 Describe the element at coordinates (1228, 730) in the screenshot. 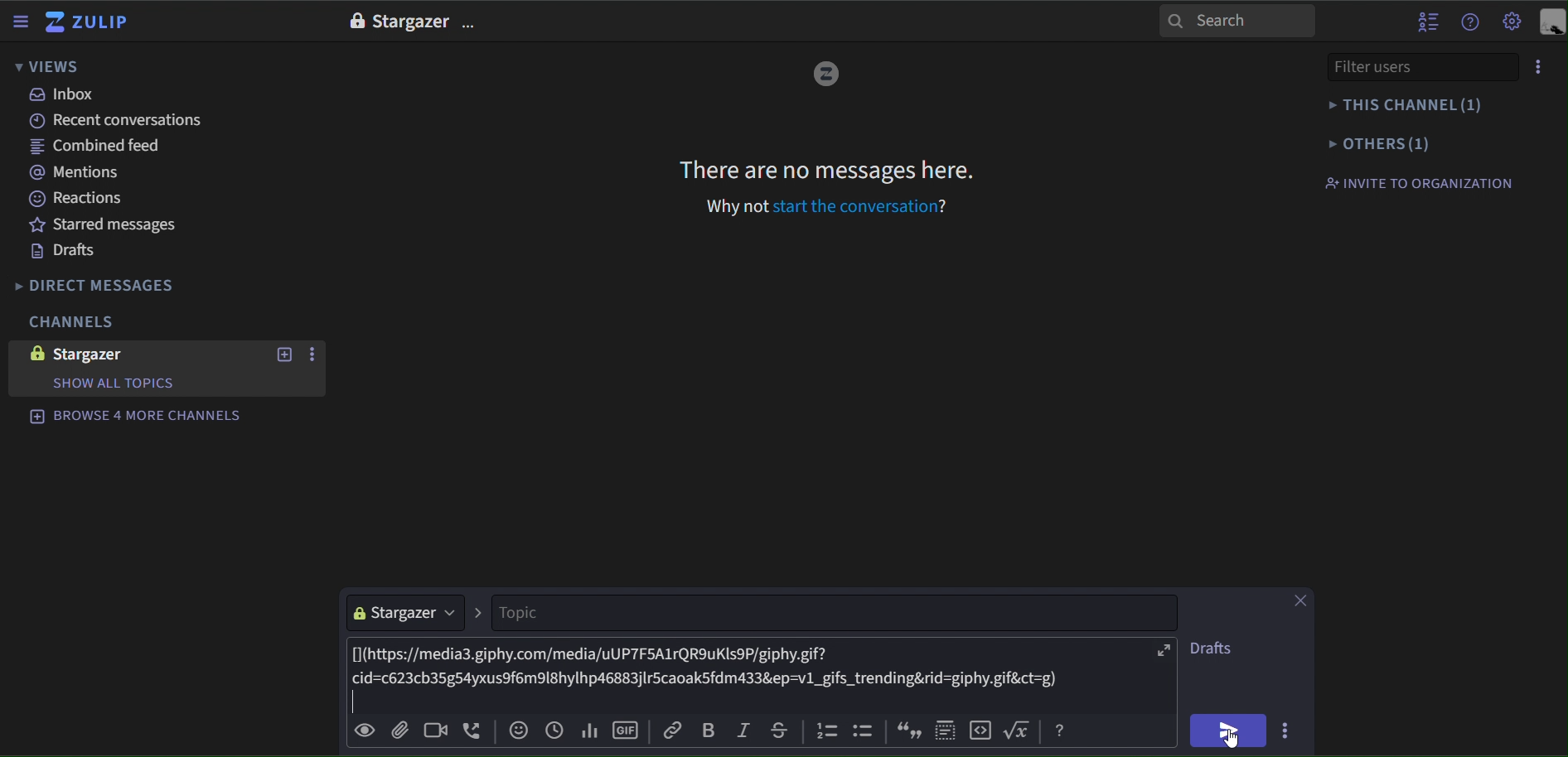

I see `send` at that location.